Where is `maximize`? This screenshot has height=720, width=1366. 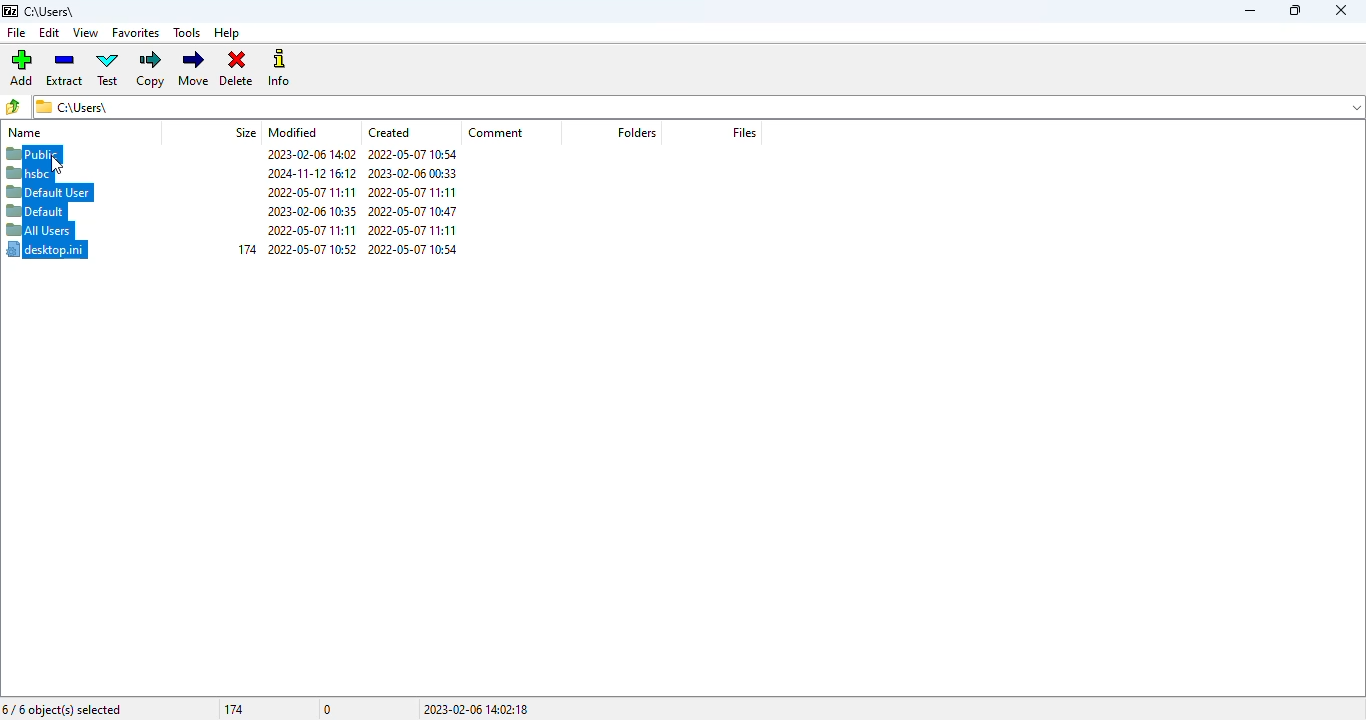 maximize is located at coordinates (1296, 11).